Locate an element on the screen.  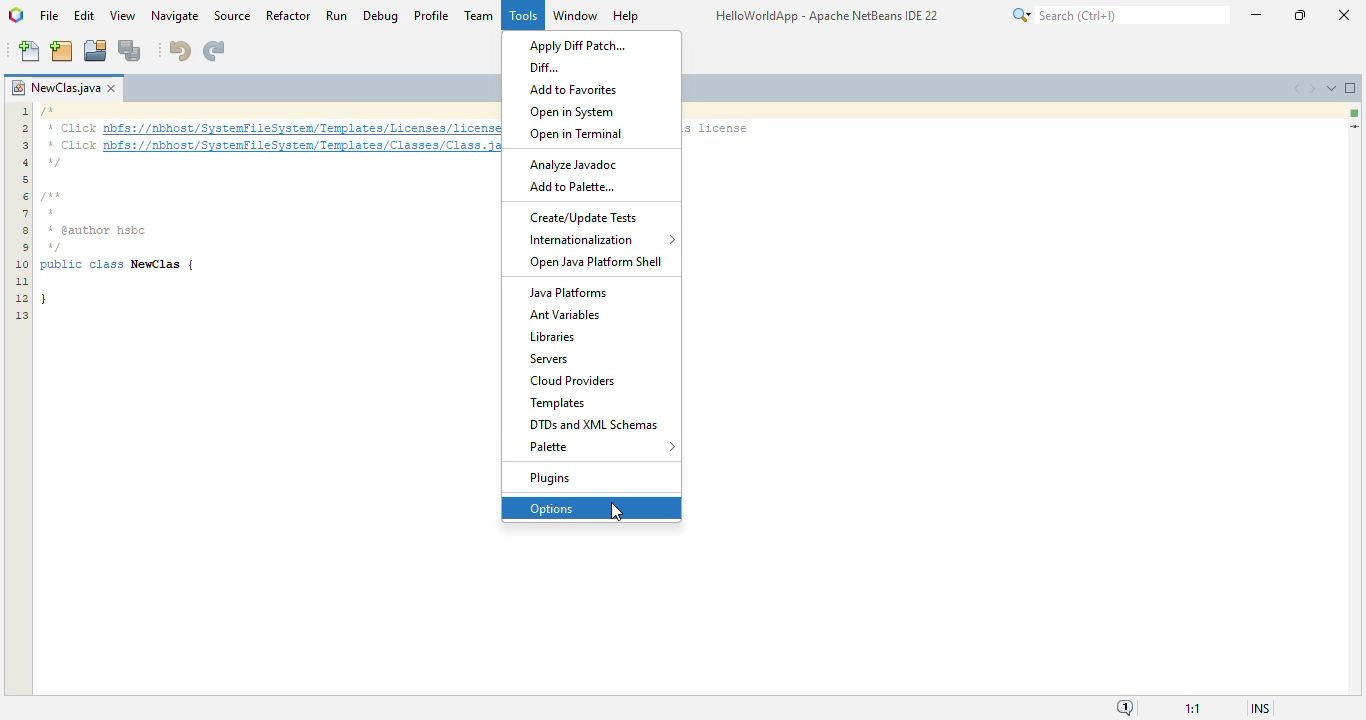
current line is located at coordinates (1354, 126).